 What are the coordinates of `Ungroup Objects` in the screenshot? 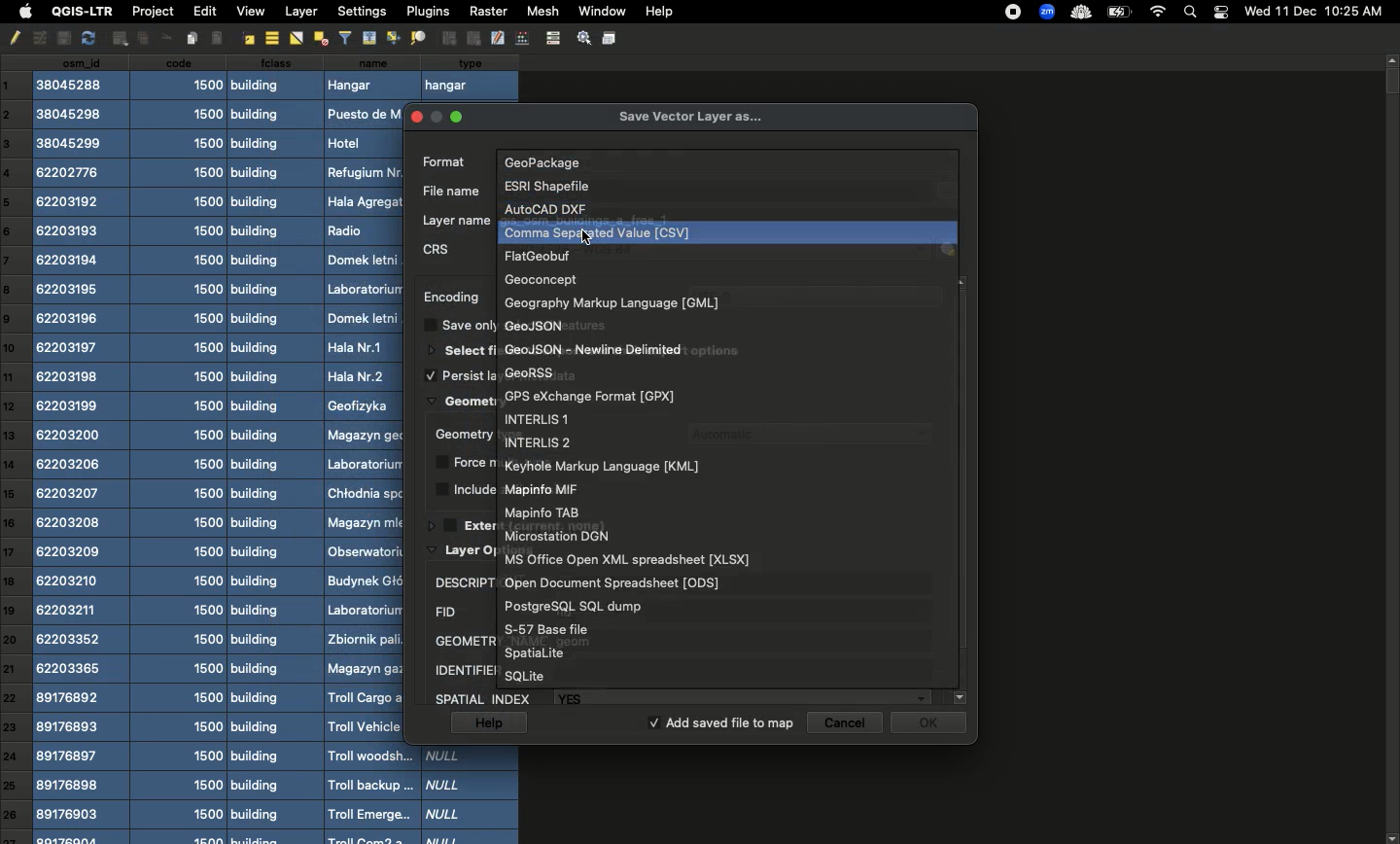 It's located at (472, 39).